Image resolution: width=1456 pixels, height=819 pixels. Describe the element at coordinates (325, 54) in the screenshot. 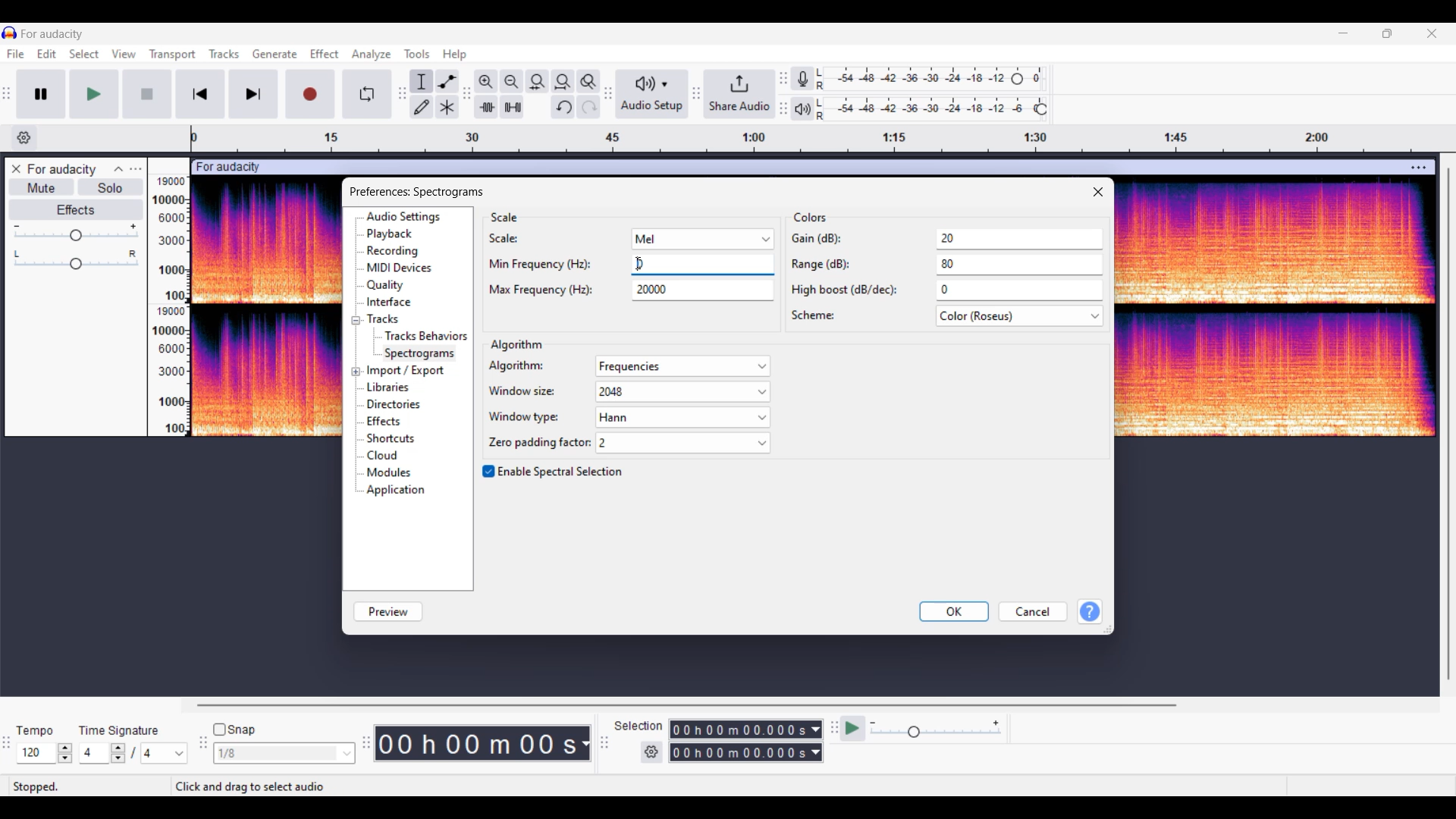

I see `Effect menu` at that location.